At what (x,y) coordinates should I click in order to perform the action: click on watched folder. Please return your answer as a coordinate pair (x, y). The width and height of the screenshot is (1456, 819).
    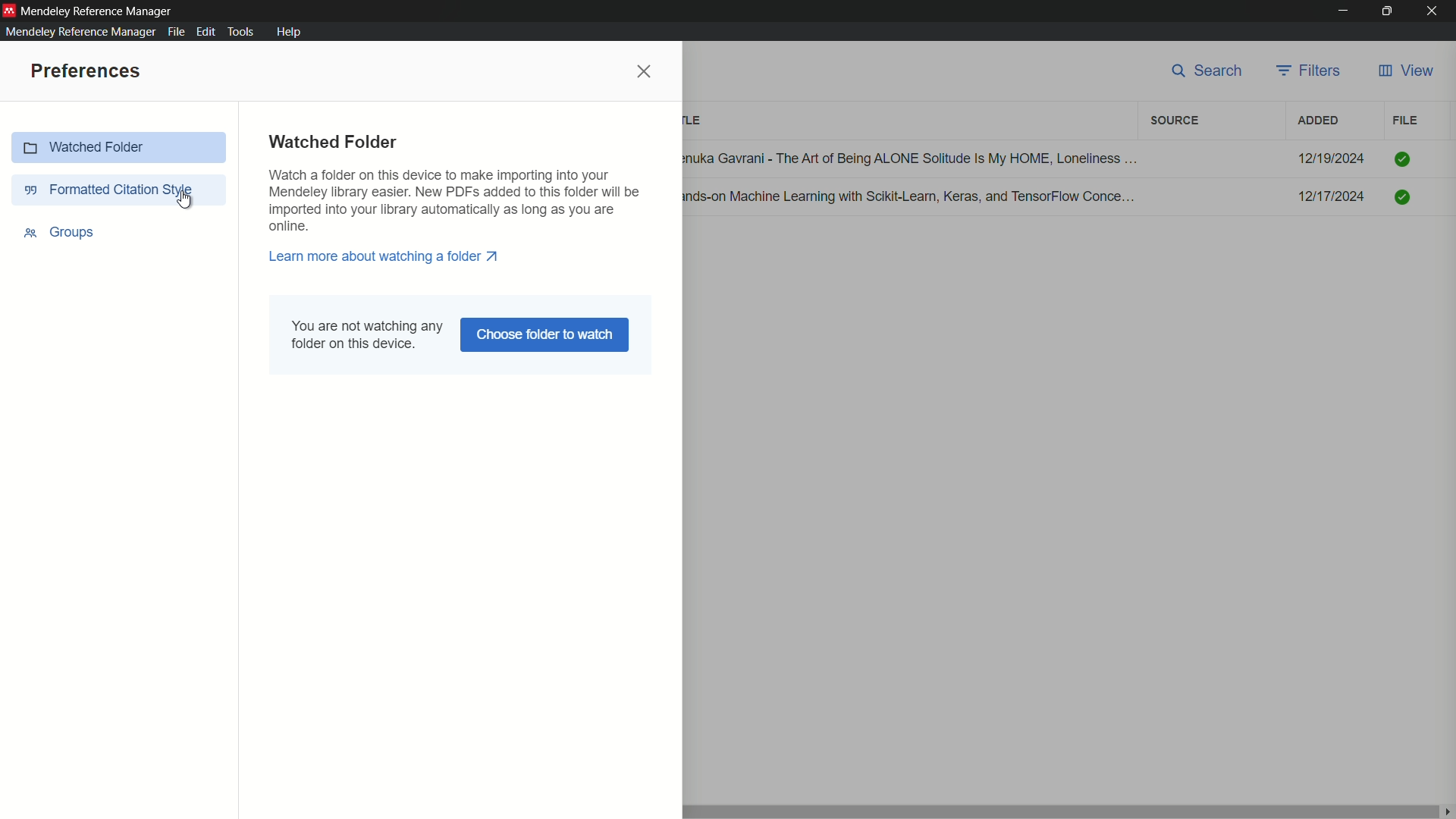
    Looking at the image, I should click on (337, 142).